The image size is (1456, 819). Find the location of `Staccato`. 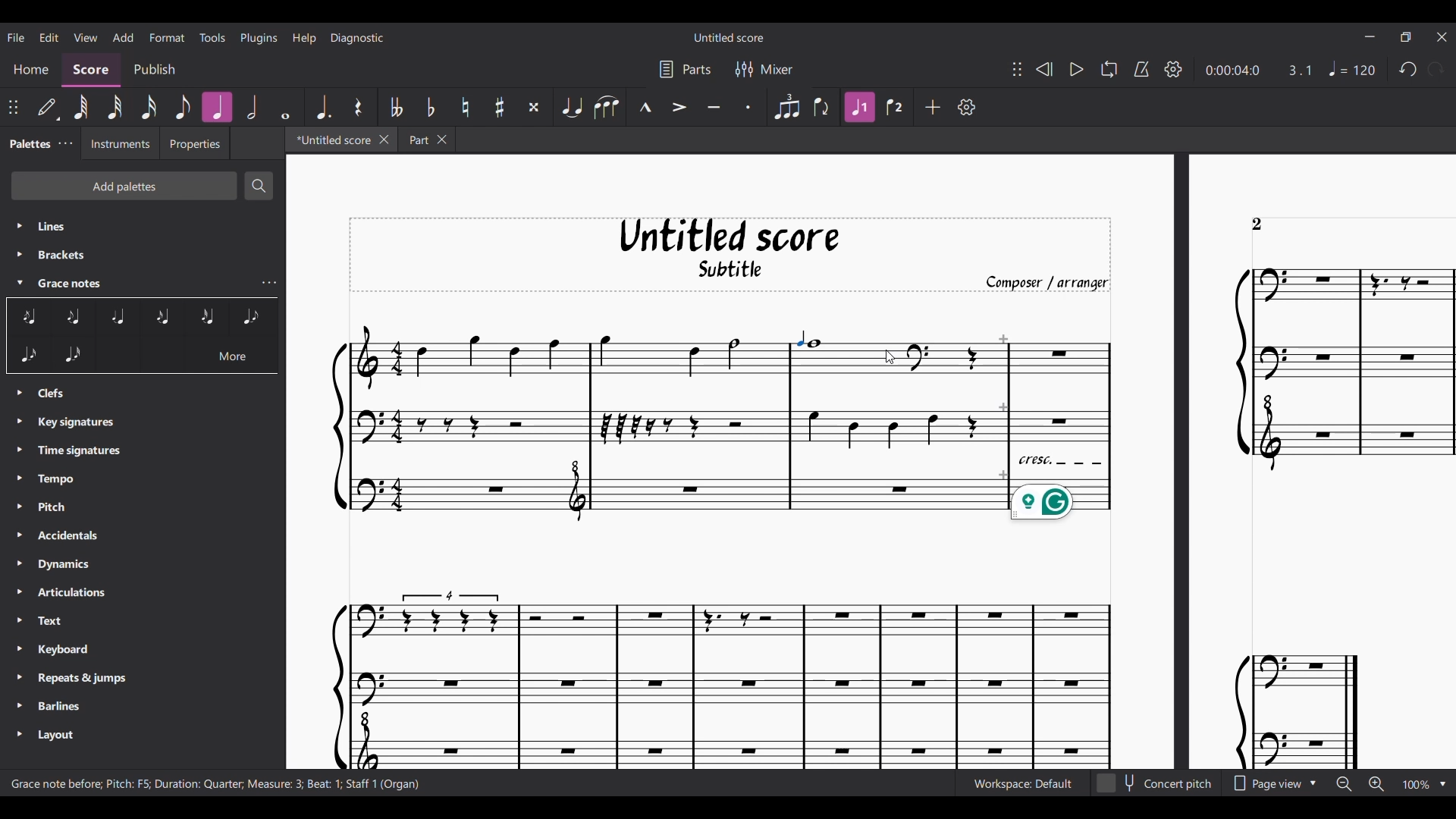

Staccato is located at coordinates (749, 106).